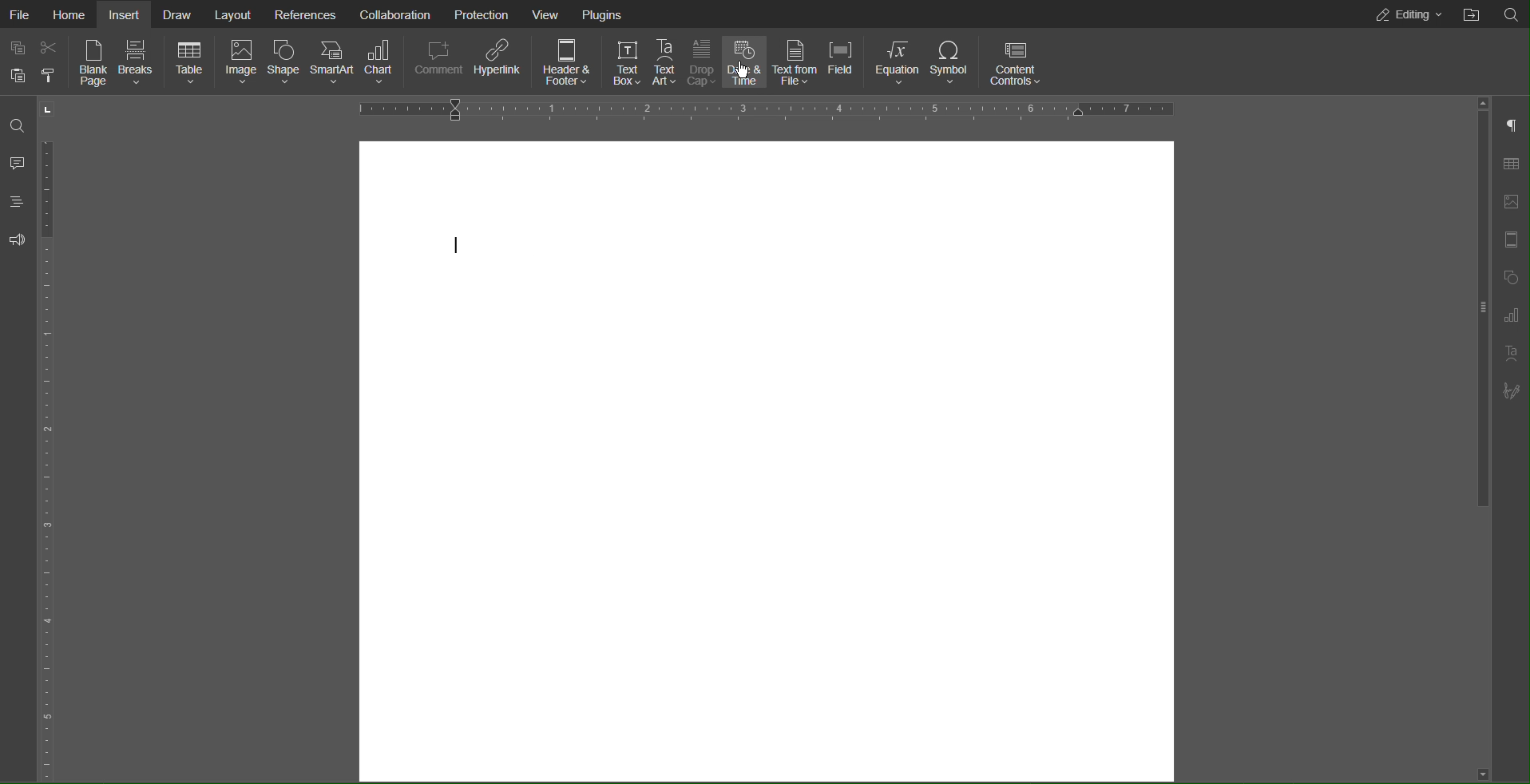 The image size is (1530, 784). Describe the element at coordinates (18, 49) in the screenshot. I see `Copy` at that location.